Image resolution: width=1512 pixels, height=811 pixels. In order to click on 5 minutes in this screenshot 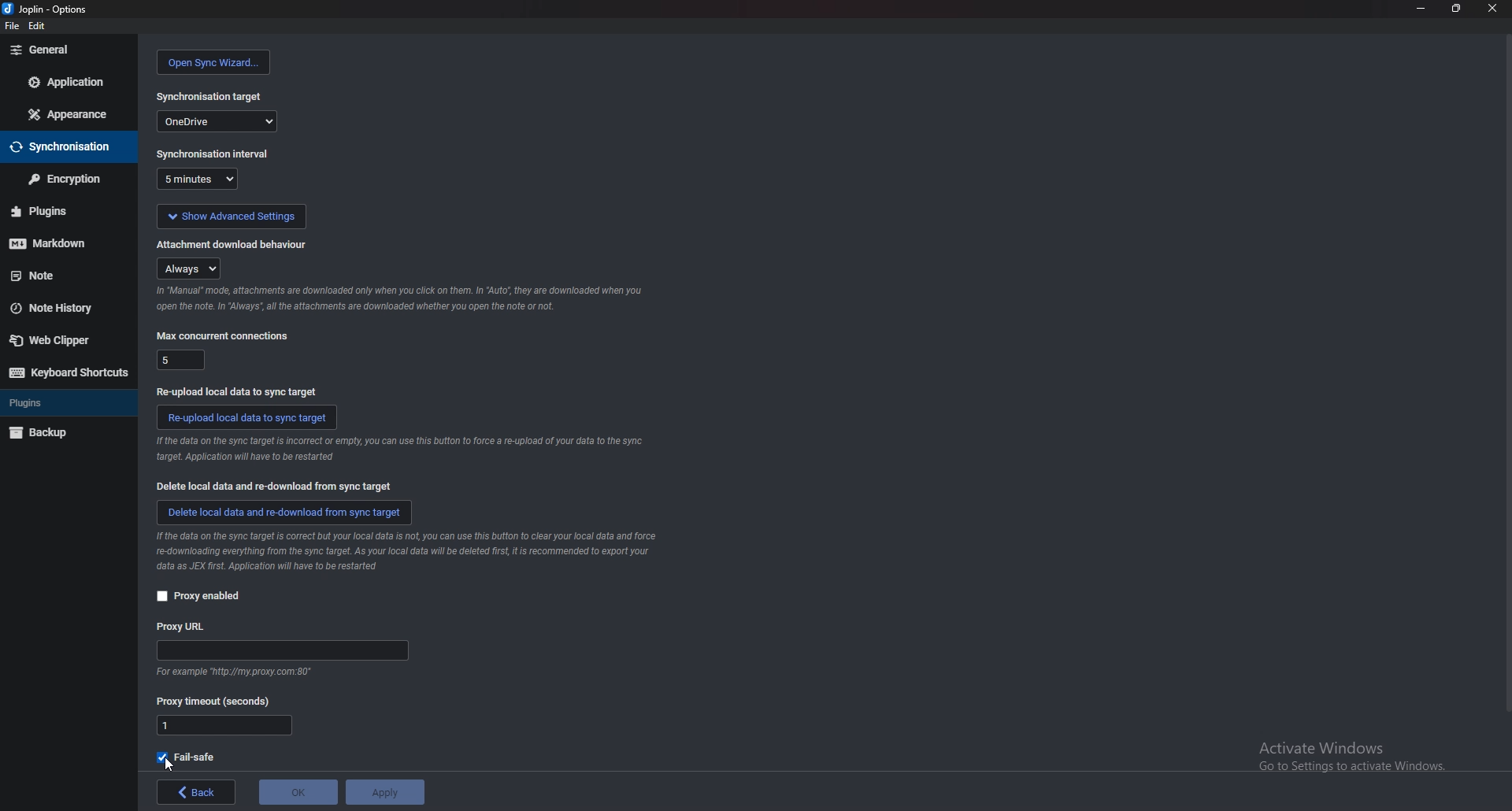, I will do `click(196, 179)`.